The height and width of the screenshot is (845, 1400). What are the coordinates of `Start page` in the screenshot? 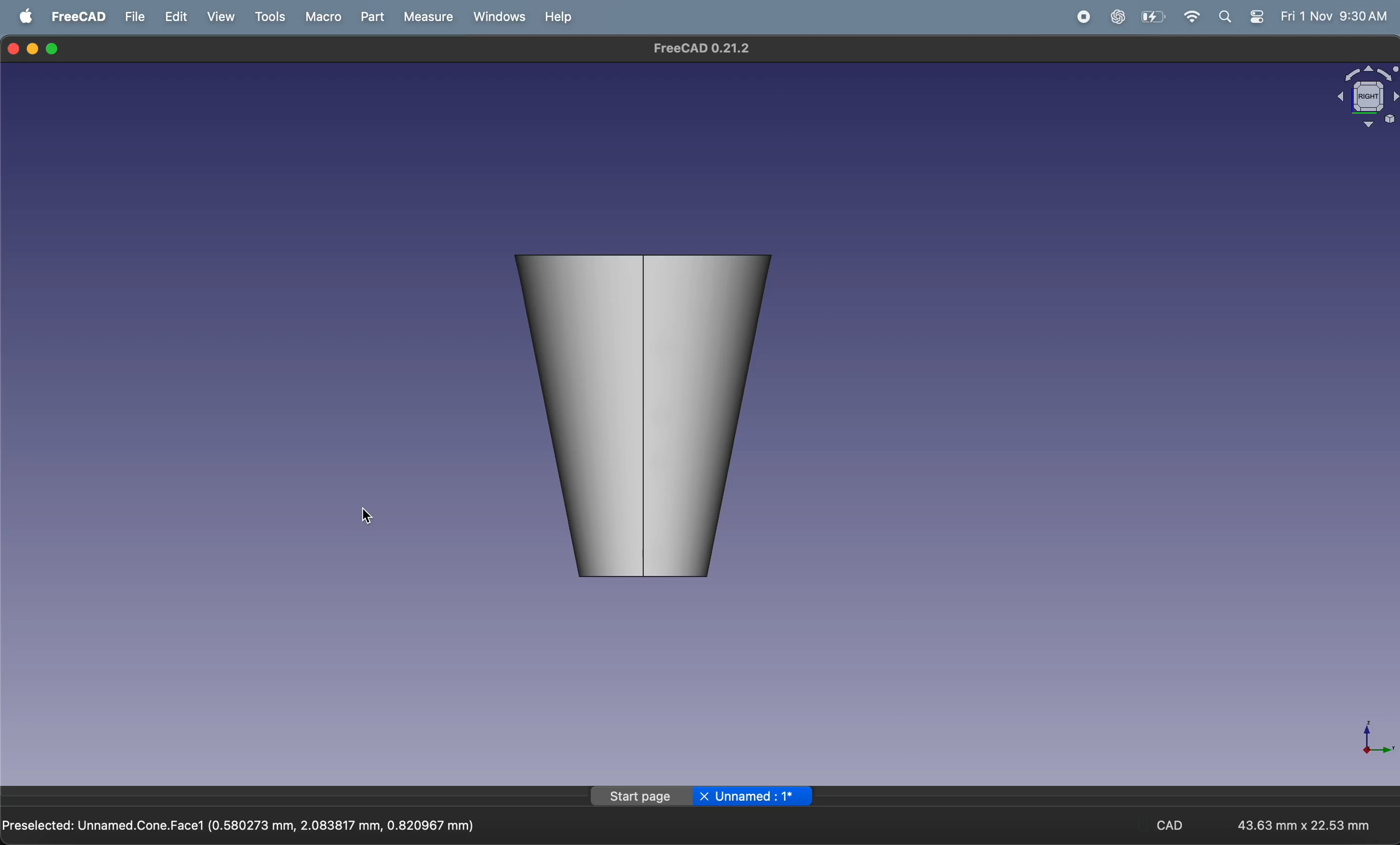 It's located at (641, 797).